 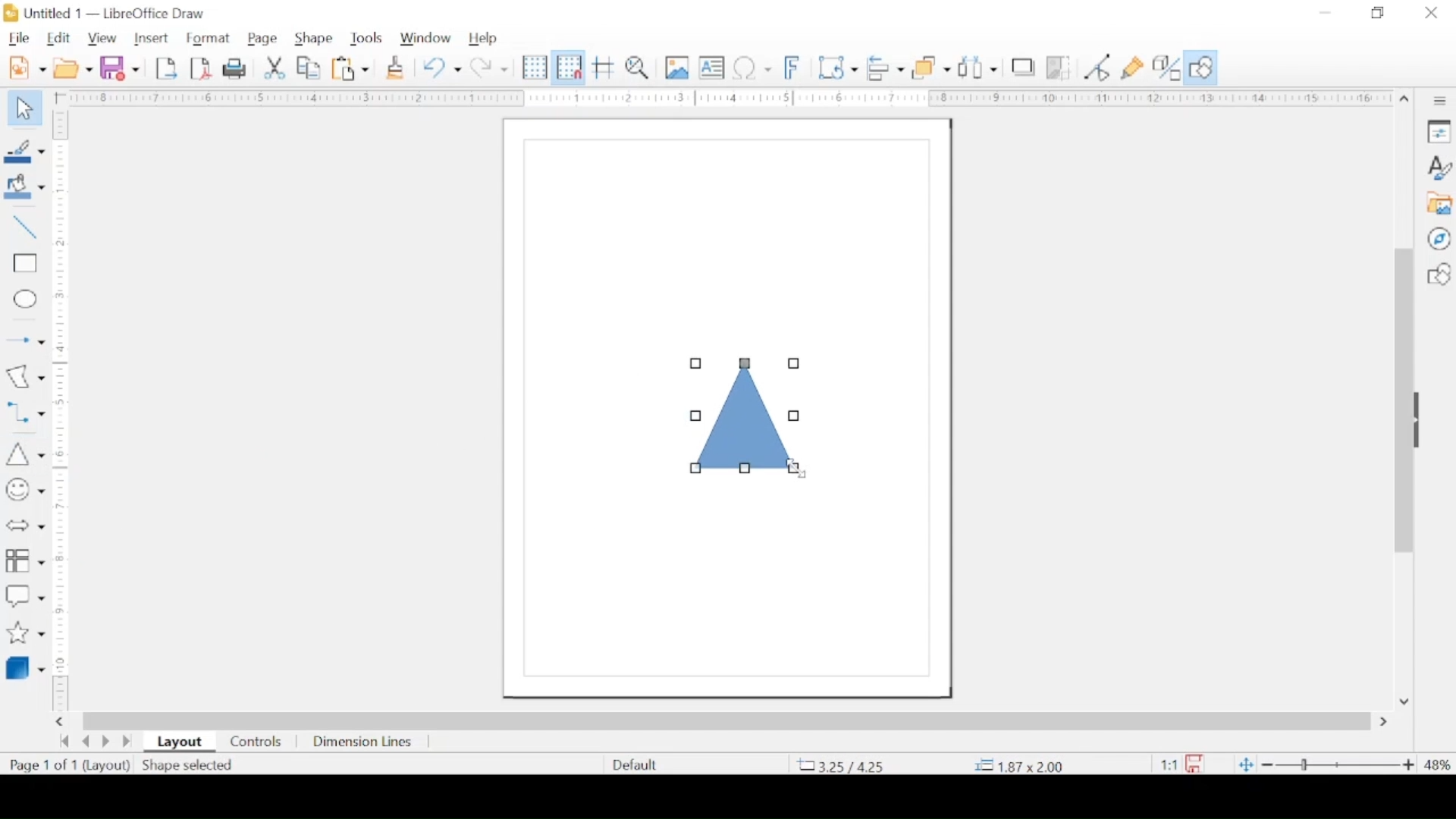 What do you see at coordinates (711, 67) in the screenshot?
I see `insert textbox` at bounding box center [711, 67].